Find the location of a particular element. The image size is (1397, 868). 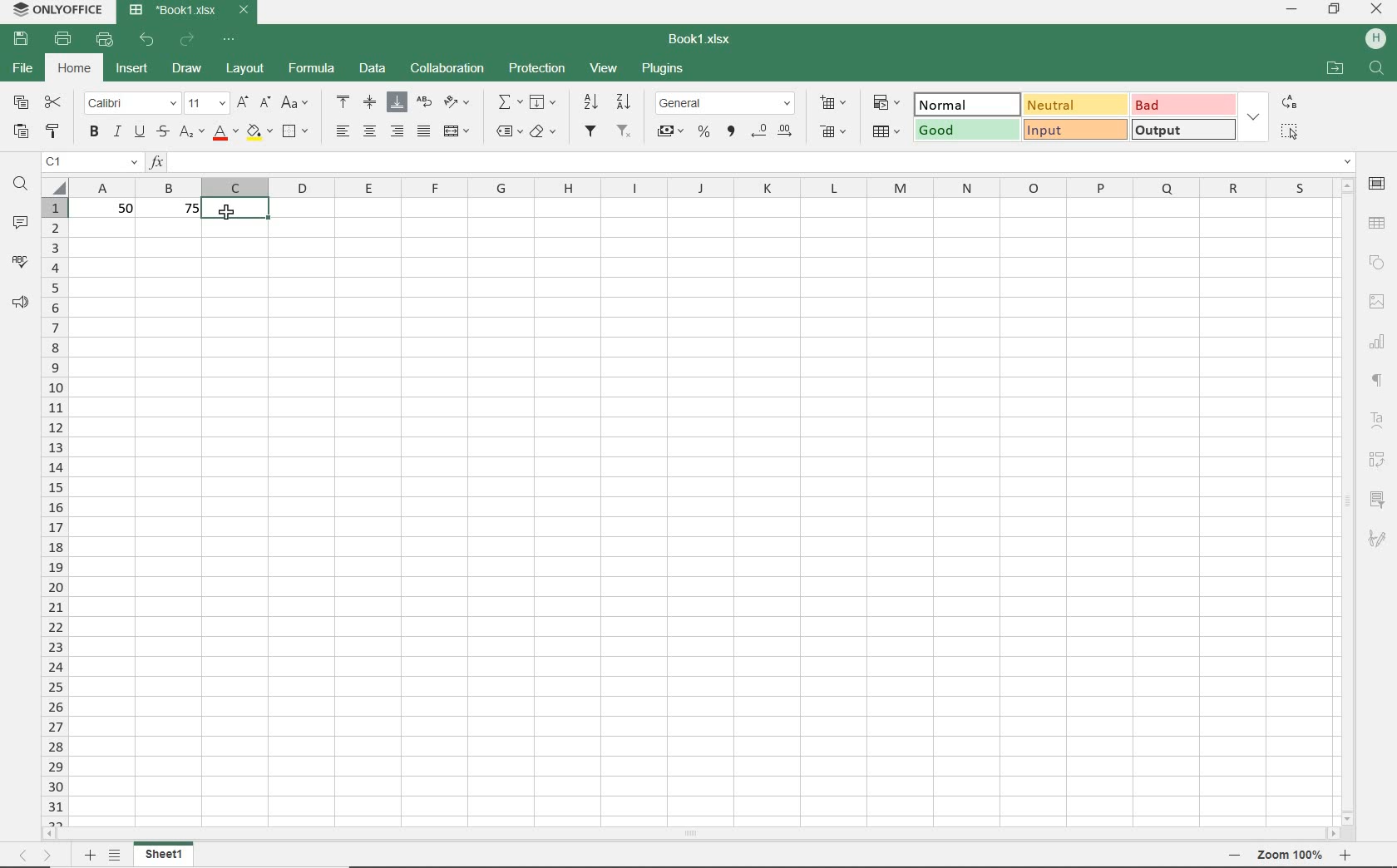

strikethrough is located at coordinates (163, 132).